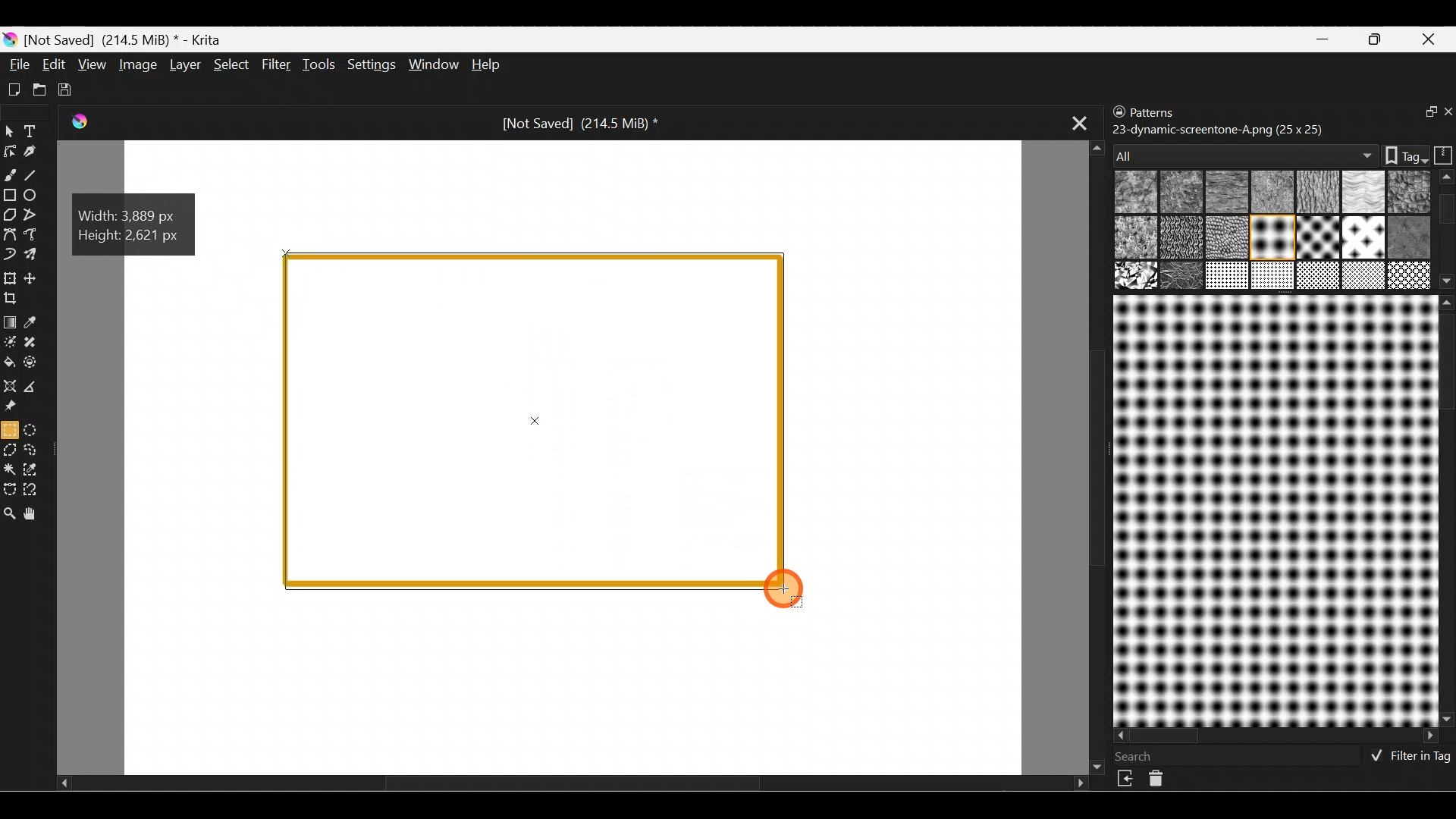 The image size is (1456, 819). I want to click on Zoom tool, so click(10, 515).